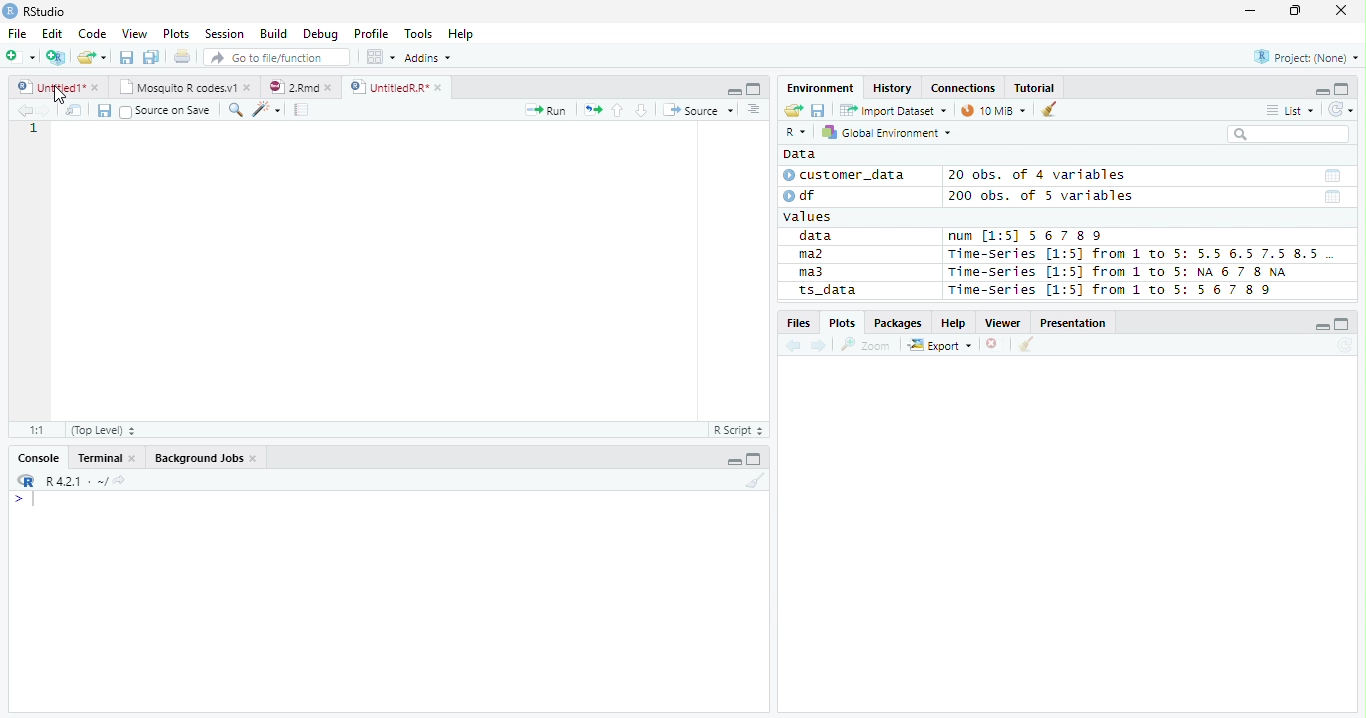 Image resolution: width=1366 pixels, height=718 pixels. I want to click on Time-Series [1:5] from 1 to 5: 5.5 6.5 7.5 8.5, so click(1137, 255).